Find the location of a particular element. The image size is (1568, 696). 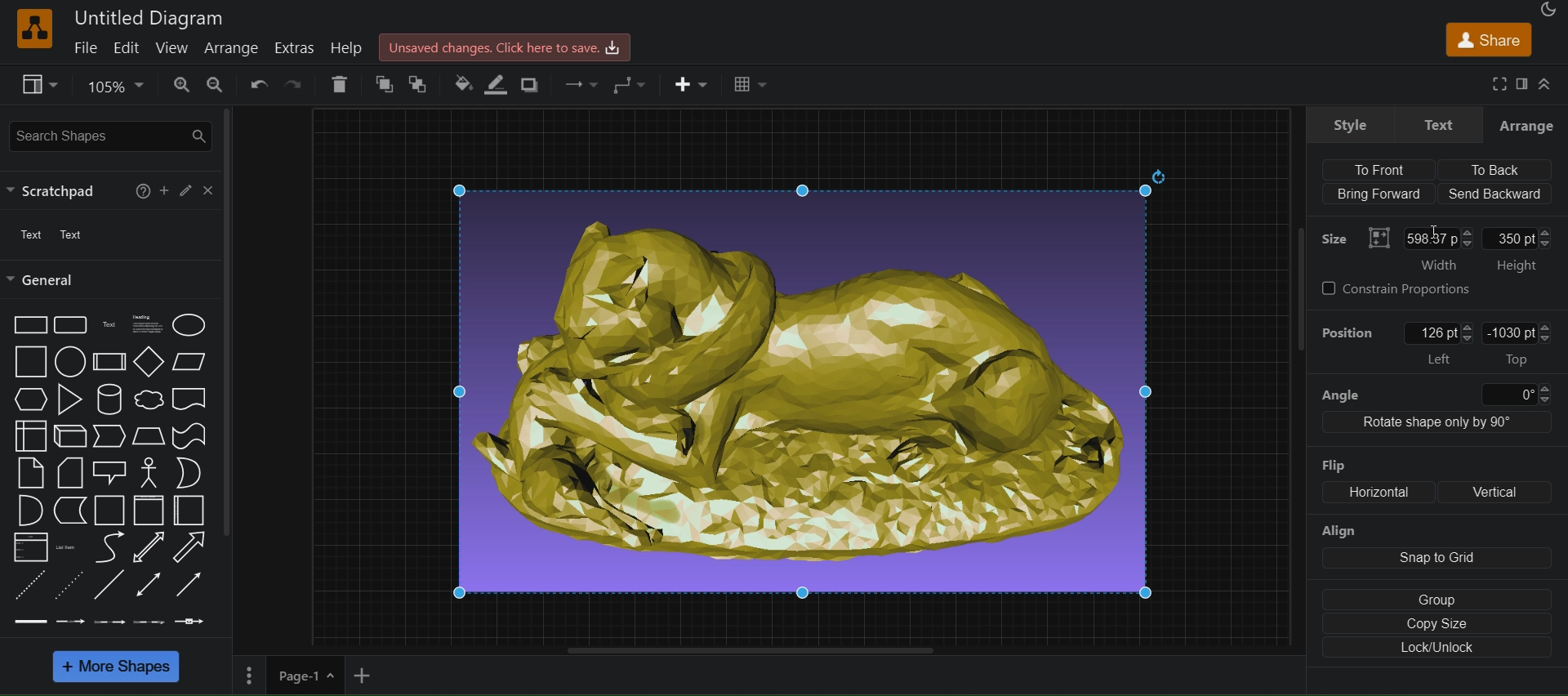

undo is located at coordinates (257, 86).